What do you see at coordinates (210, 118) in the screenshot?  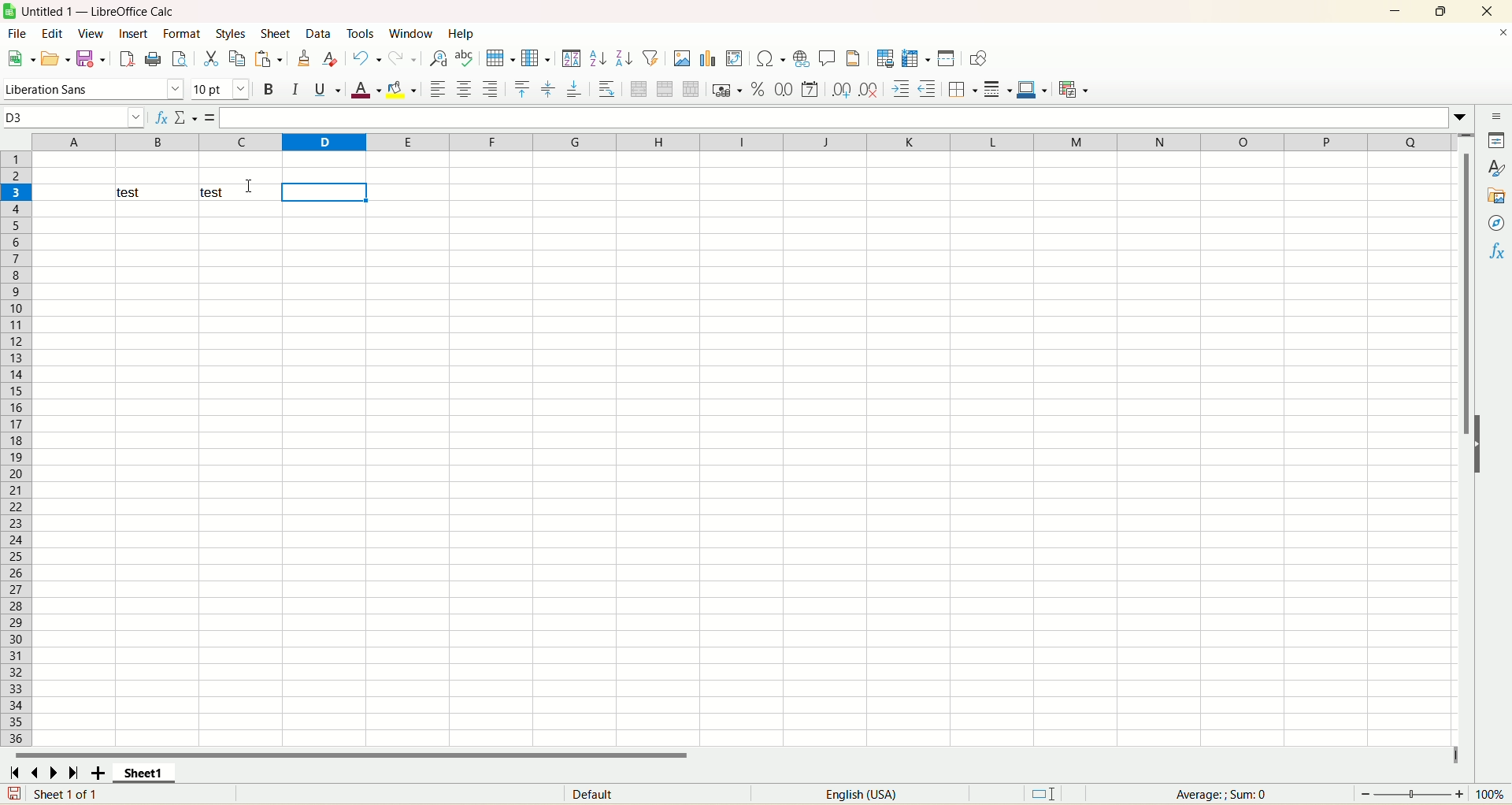 I see `Formula` at bounding box center [210, 118].